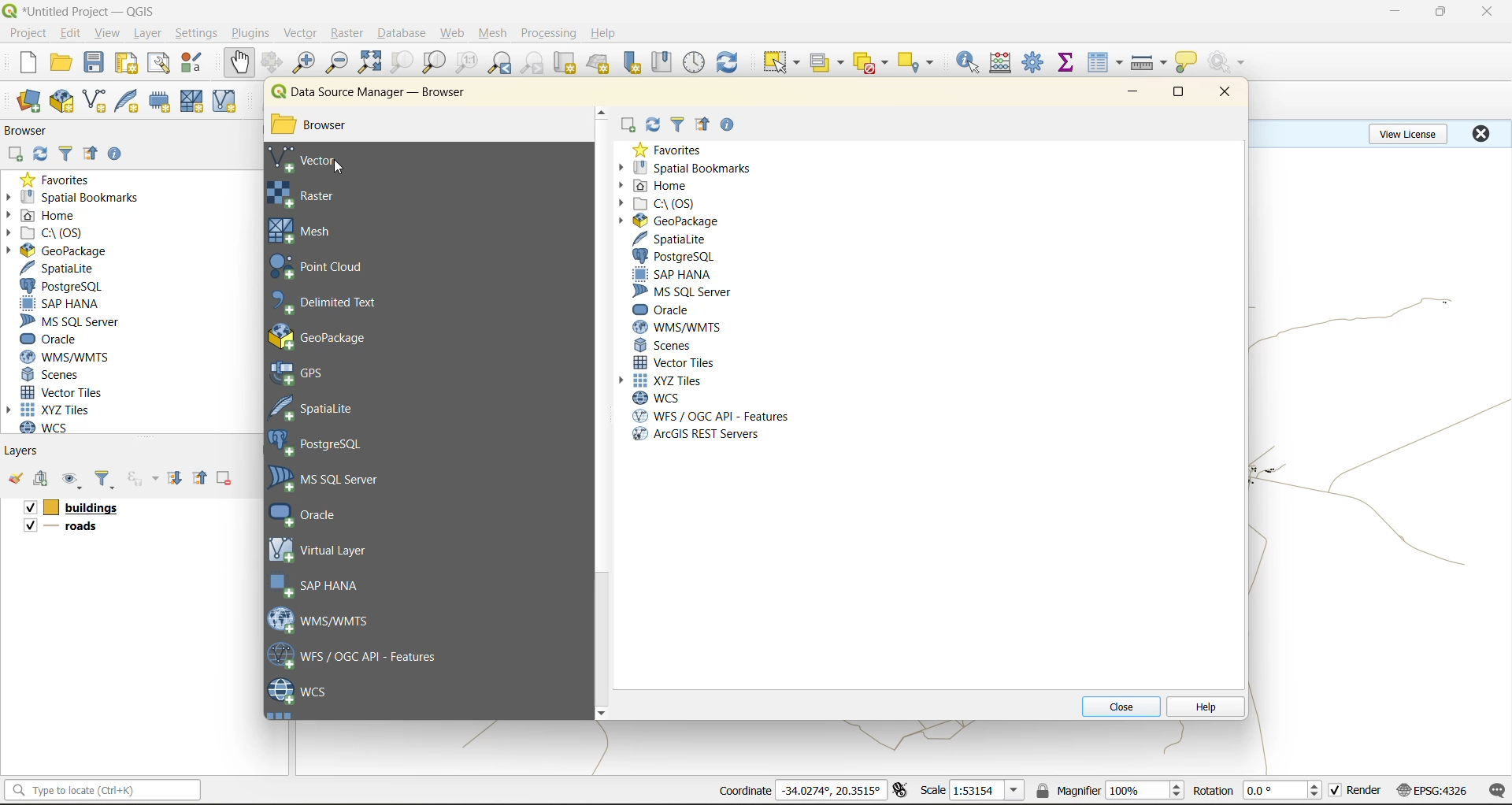 The image size is (1512, 805). What do you see at coordinates (606, 33) in the screenshot?
I see `help` at bounding box center [606, 33].